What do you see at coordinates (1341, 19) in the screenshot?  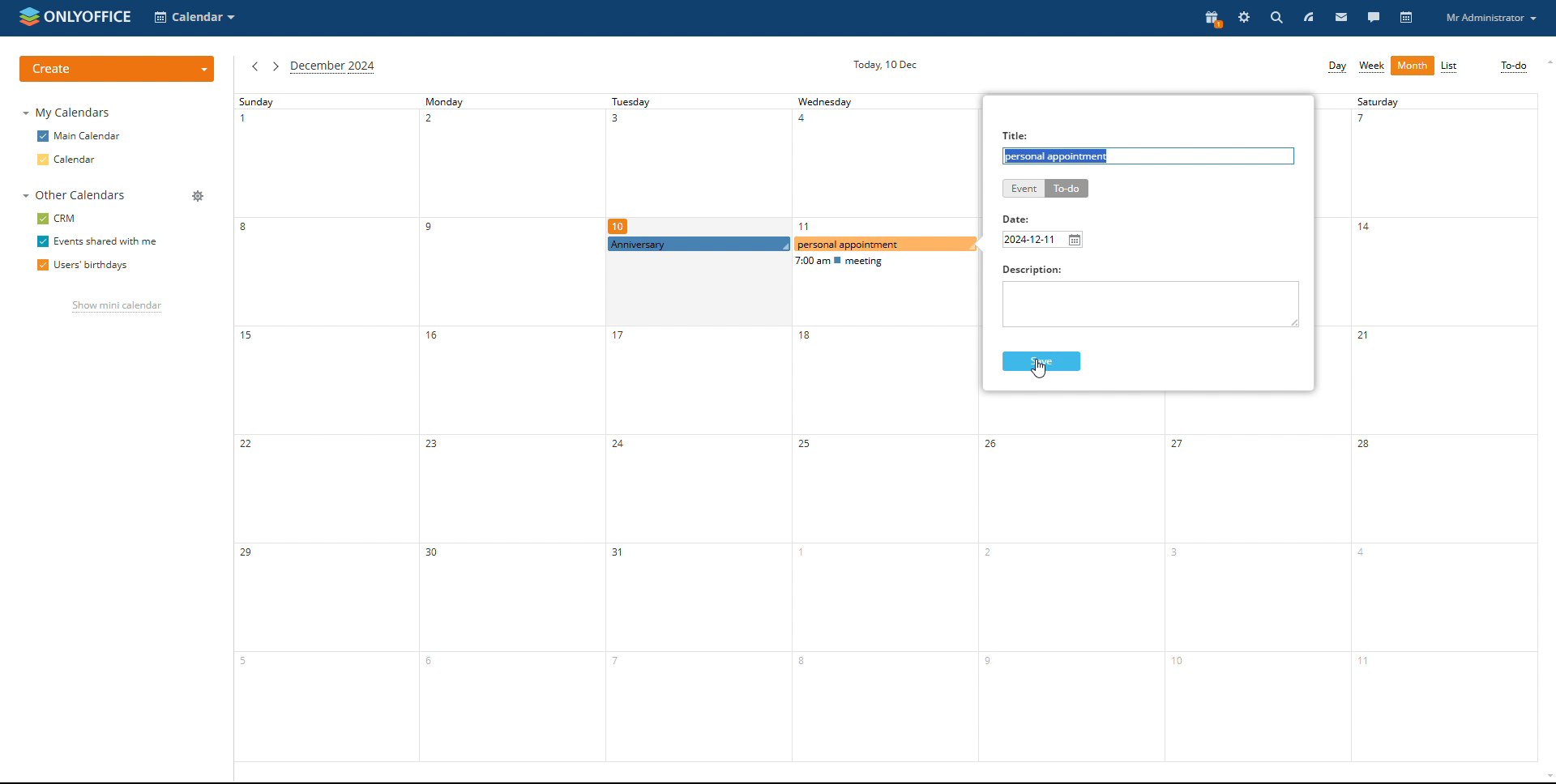 I see `mail` at bounding box center [1341, 19].